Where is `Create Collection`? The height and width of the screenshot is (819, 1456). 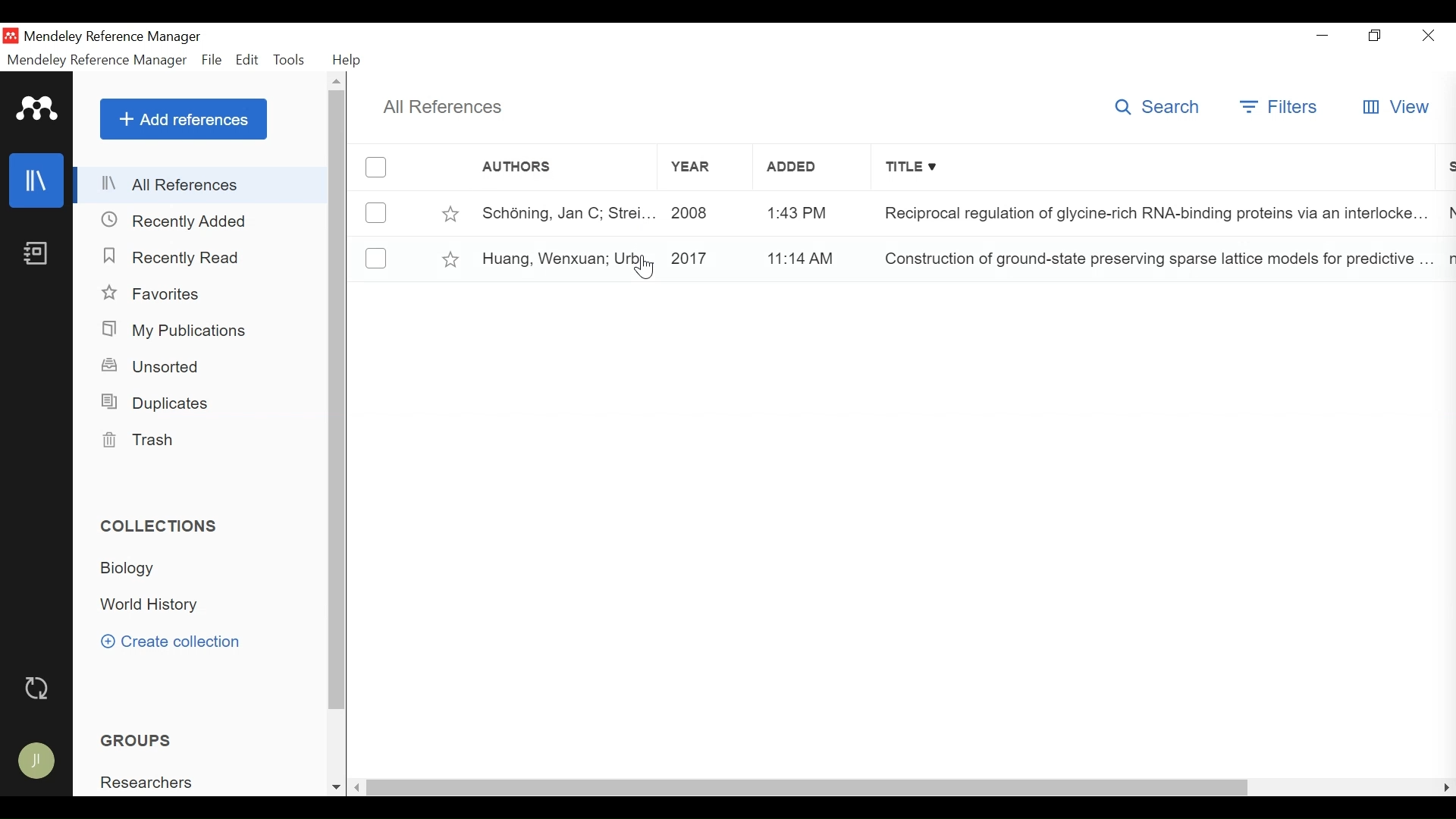 Create Collection is located at coordinates (171, 641).